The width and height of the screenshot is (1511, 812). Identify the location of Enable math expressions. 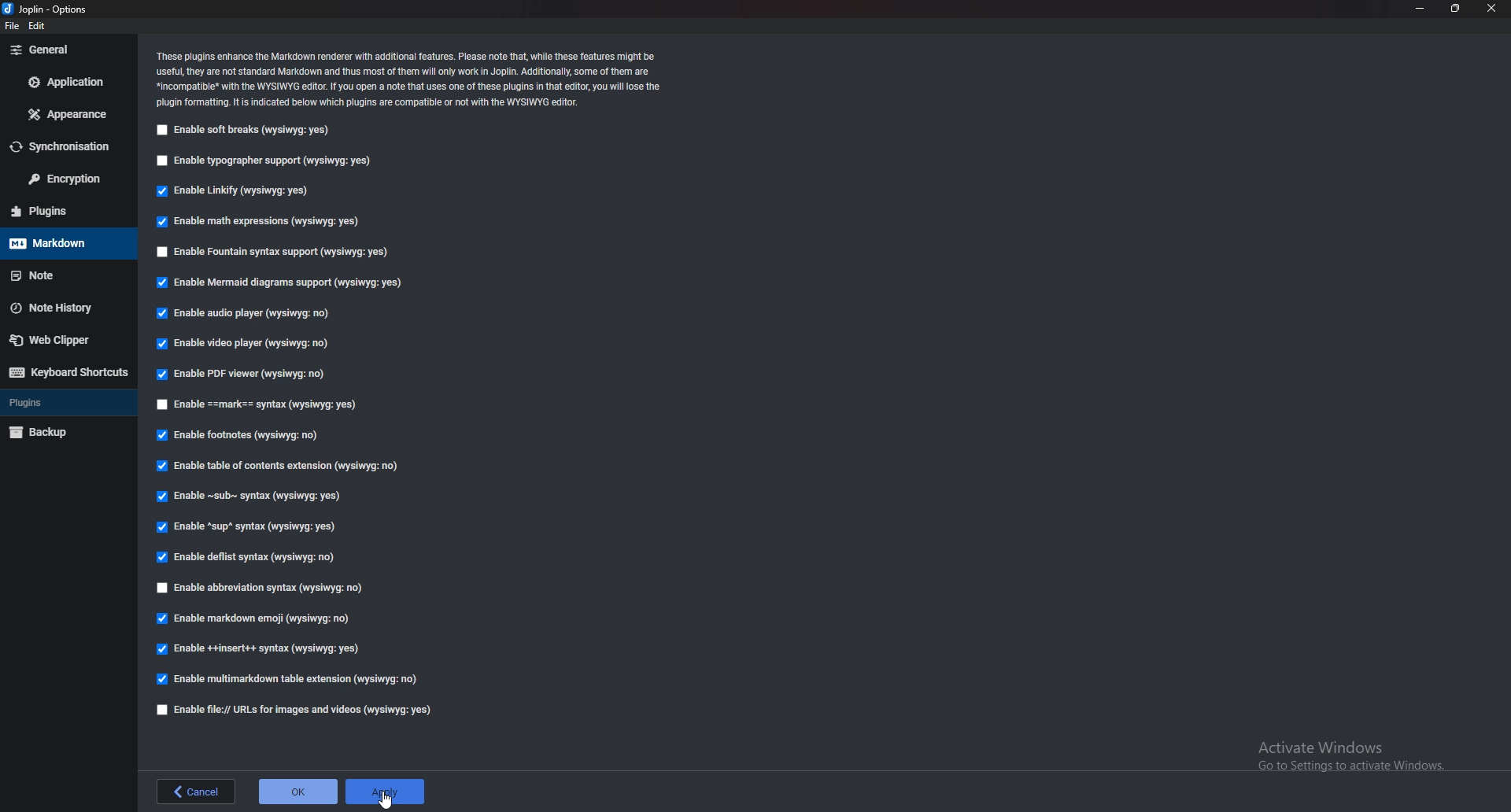
(266, 220).